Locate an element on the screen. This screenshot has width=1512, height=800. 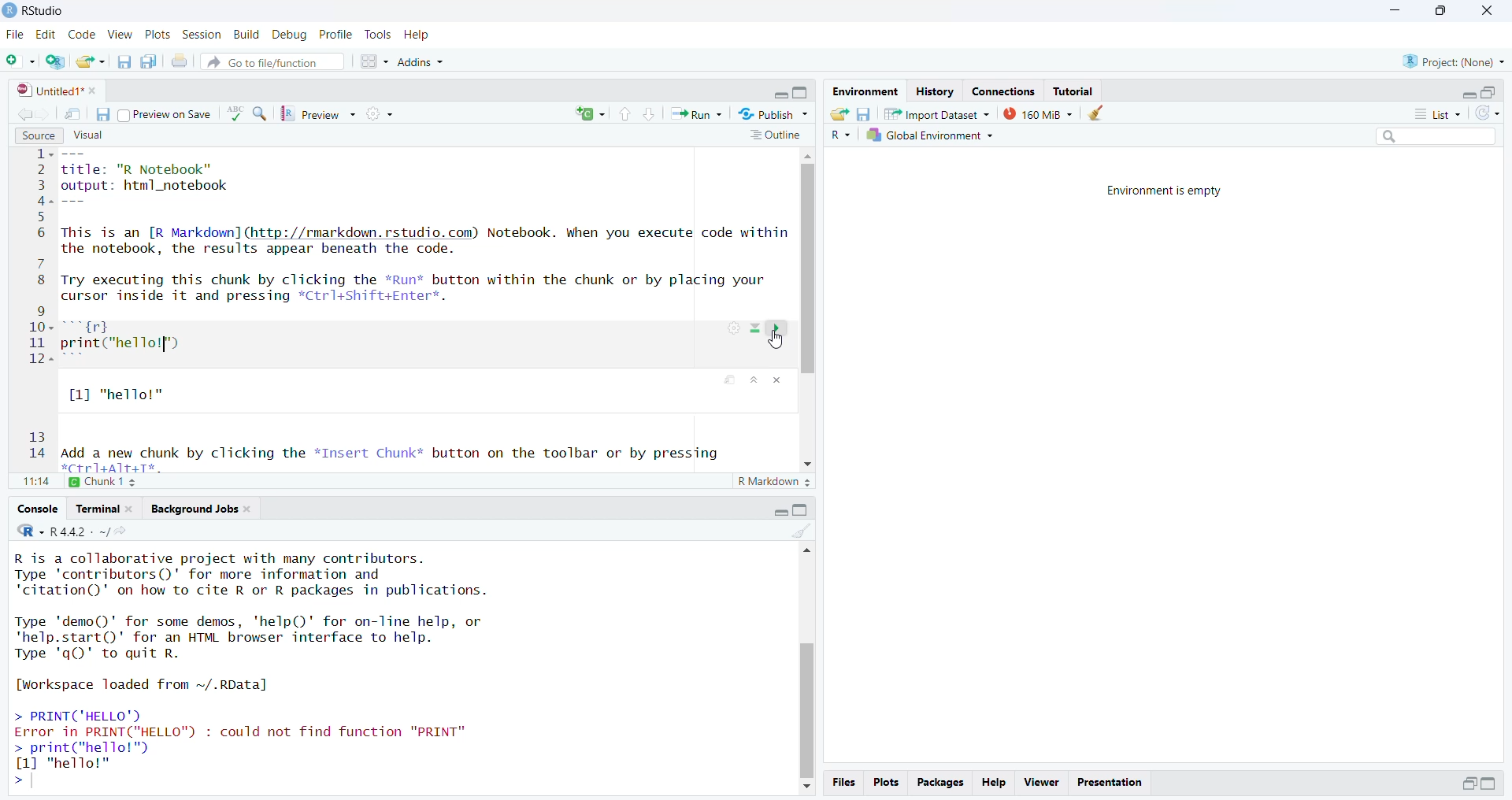
scrollbar is located at coordinates (810, 311).